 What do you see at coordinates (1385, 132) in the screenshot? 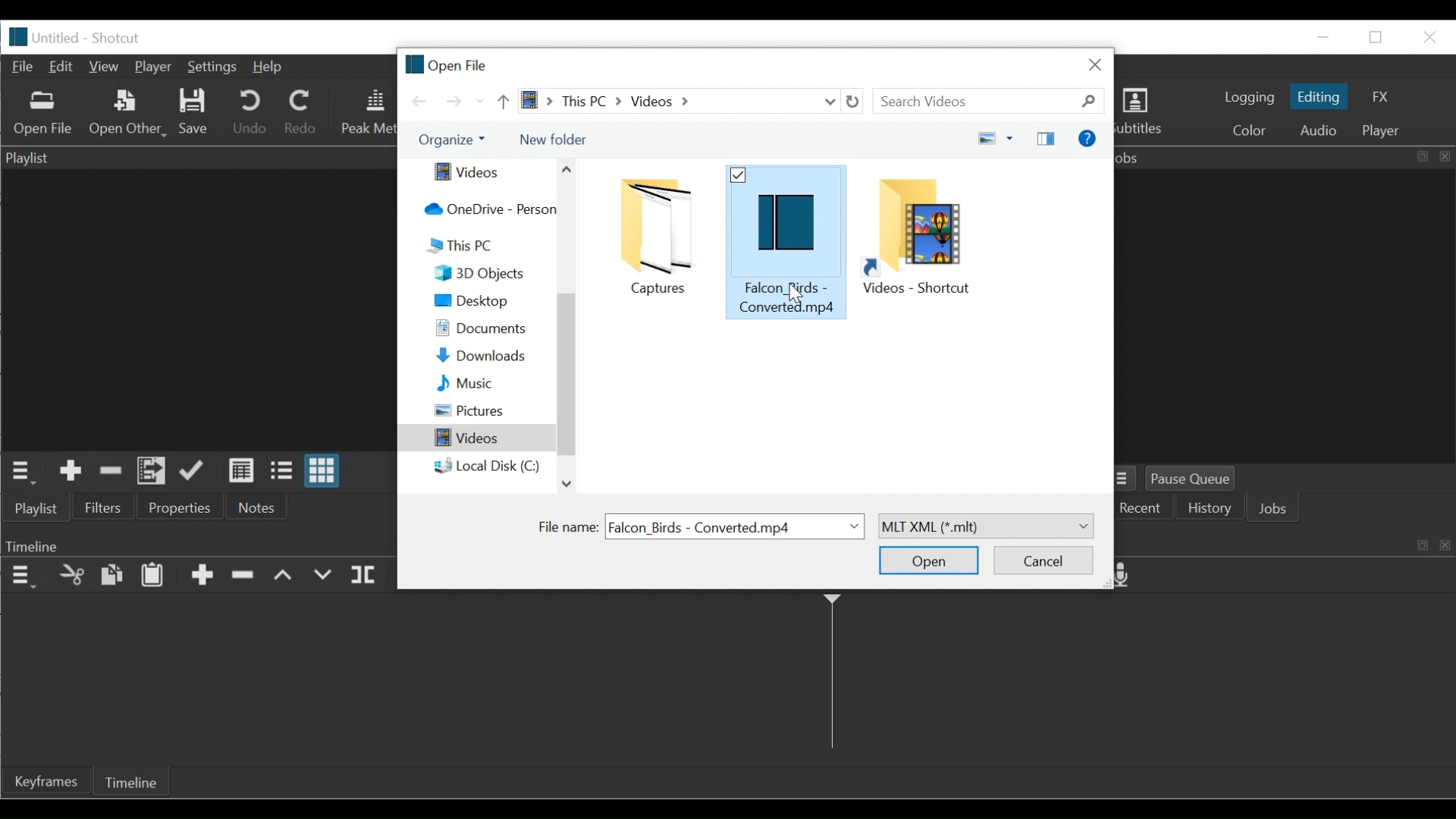
I see `player` at bounding box center [1385, 132].